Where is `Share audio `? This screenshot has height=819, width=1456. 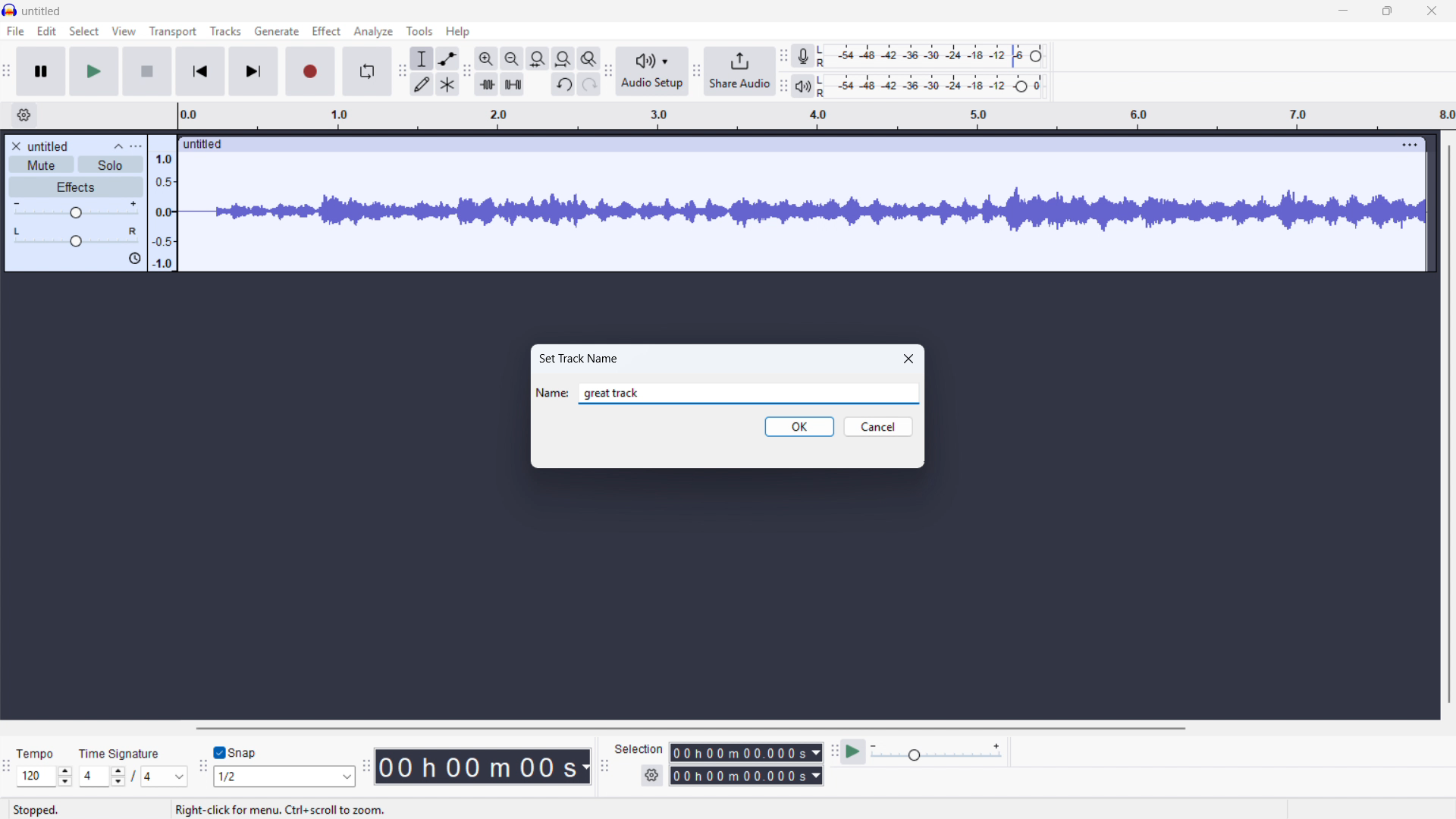
Share audio  is located at coordinates (740, 72).